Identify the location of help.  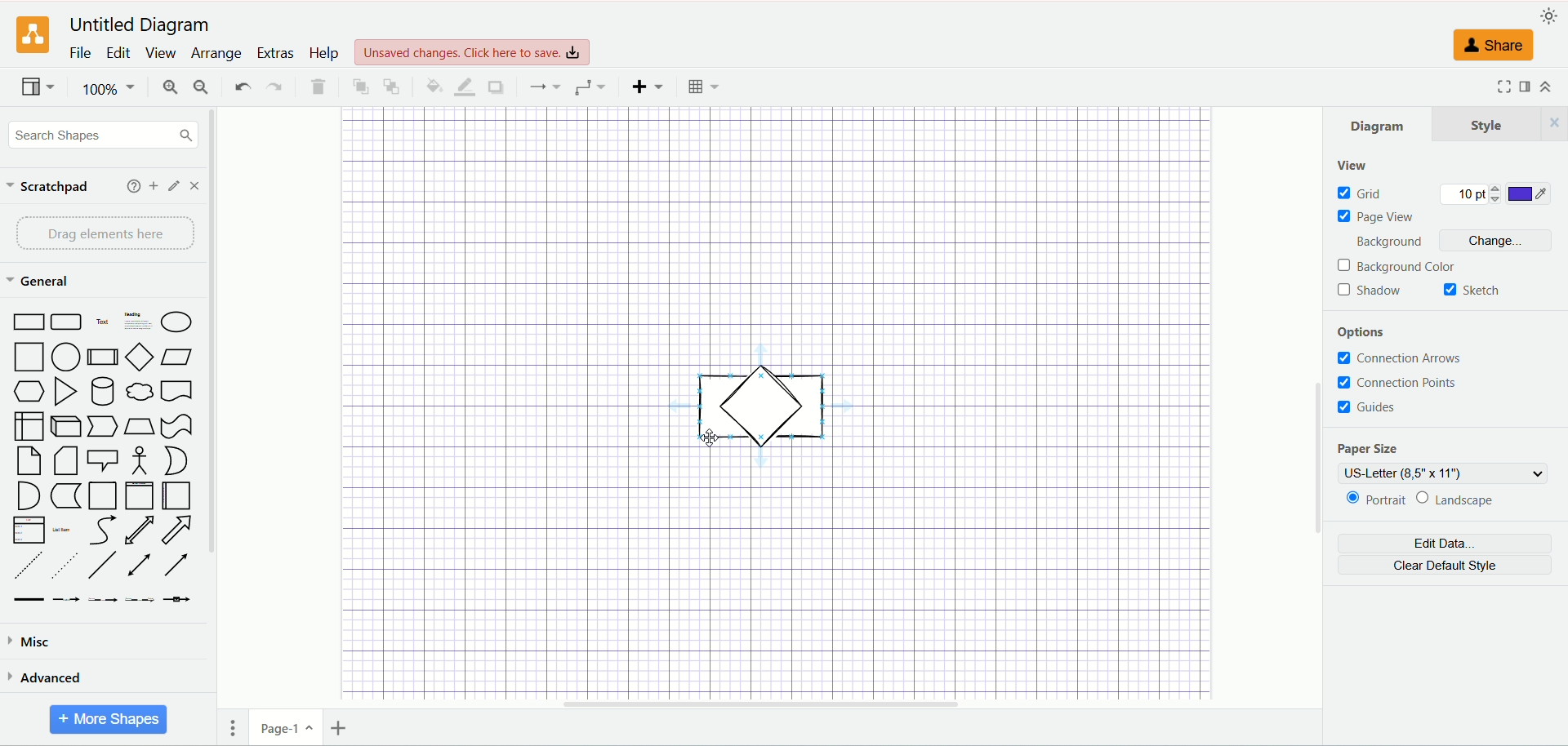
(128, 186).